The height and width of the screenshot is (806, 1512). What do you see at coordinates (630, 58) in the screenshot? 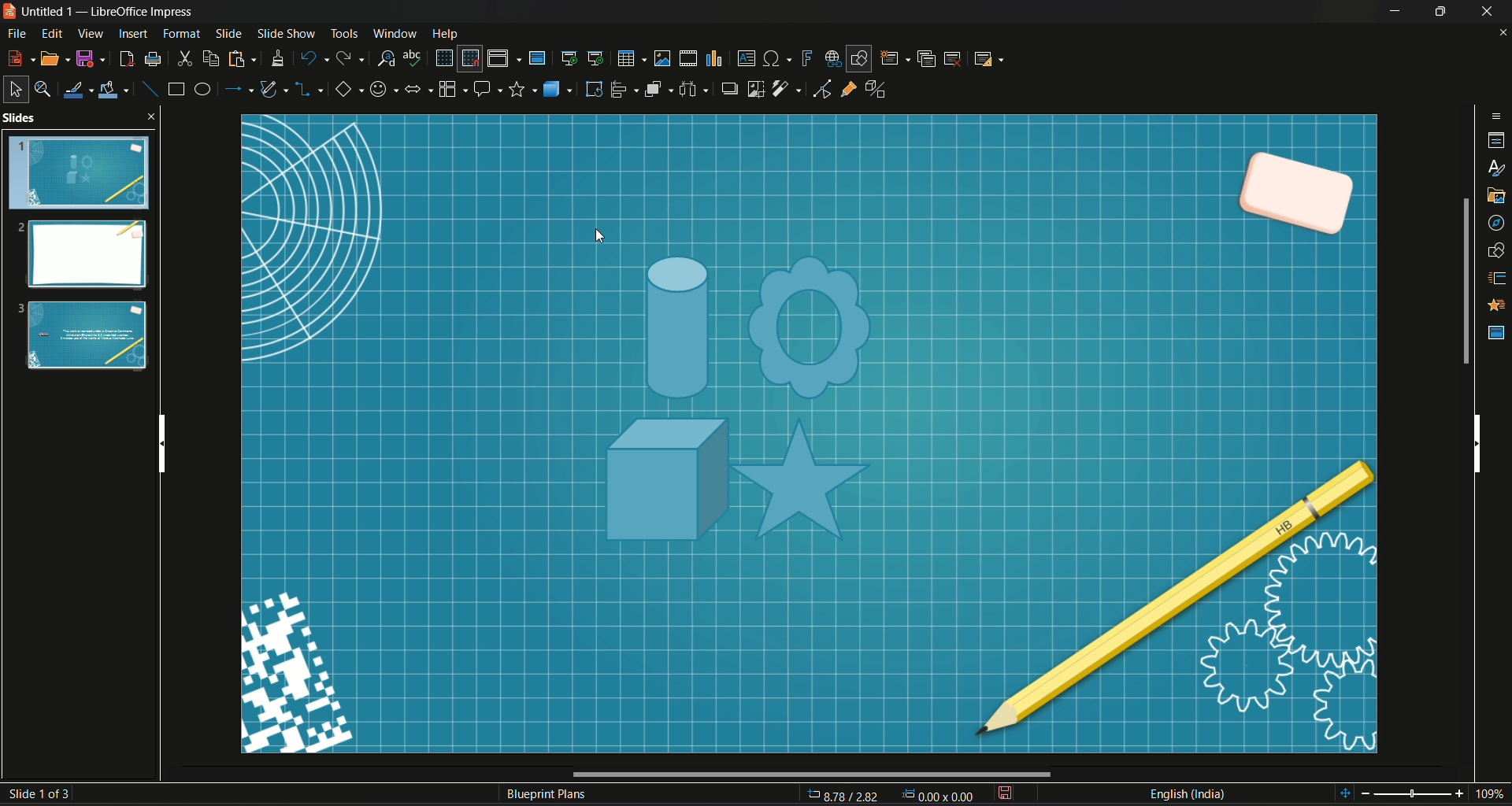
I see `table` at bounding box center [630, 58].